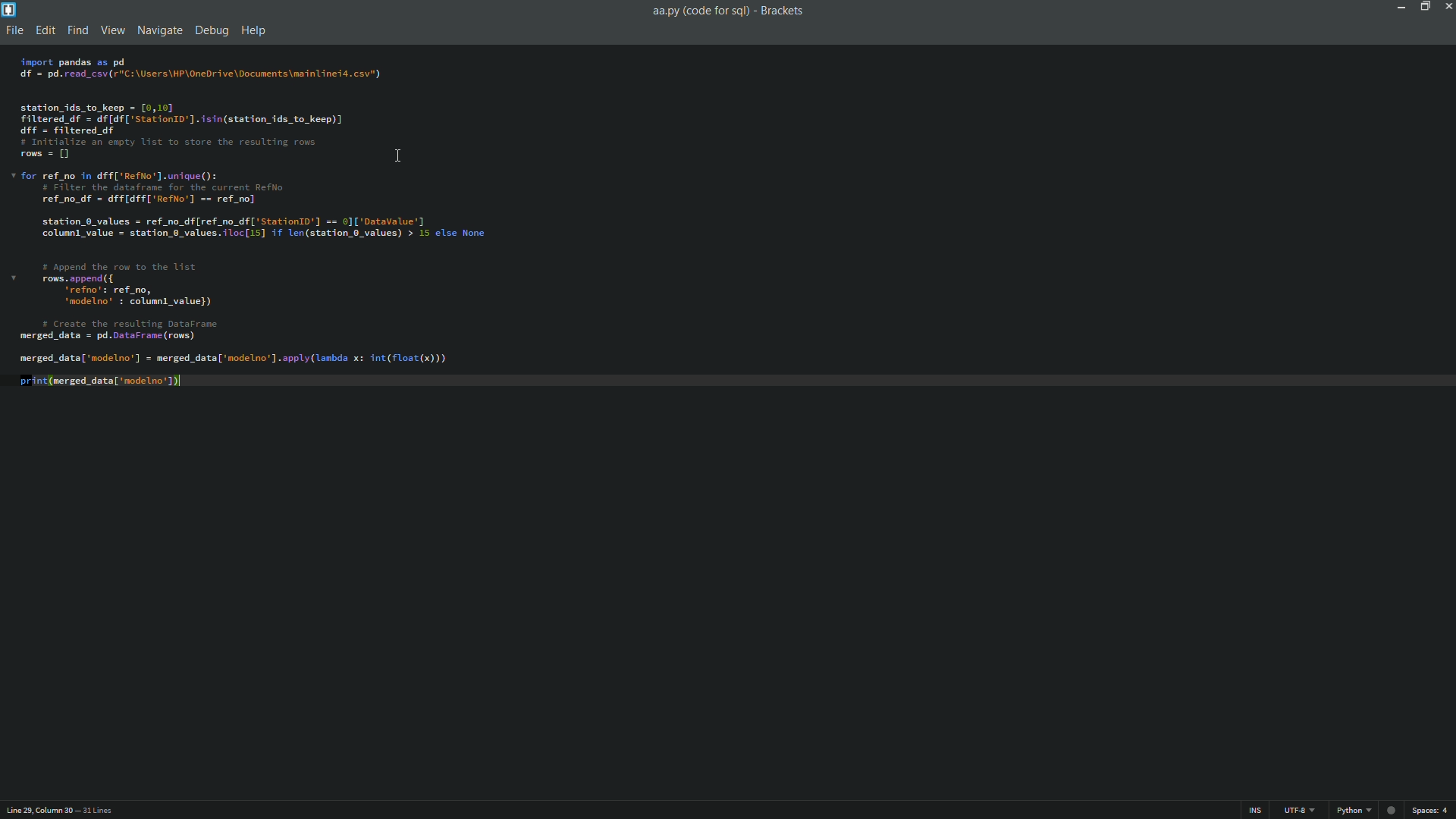 The height and width of the screenshot is (819, 1456). I want to click on edit menu, so click(43, 30).